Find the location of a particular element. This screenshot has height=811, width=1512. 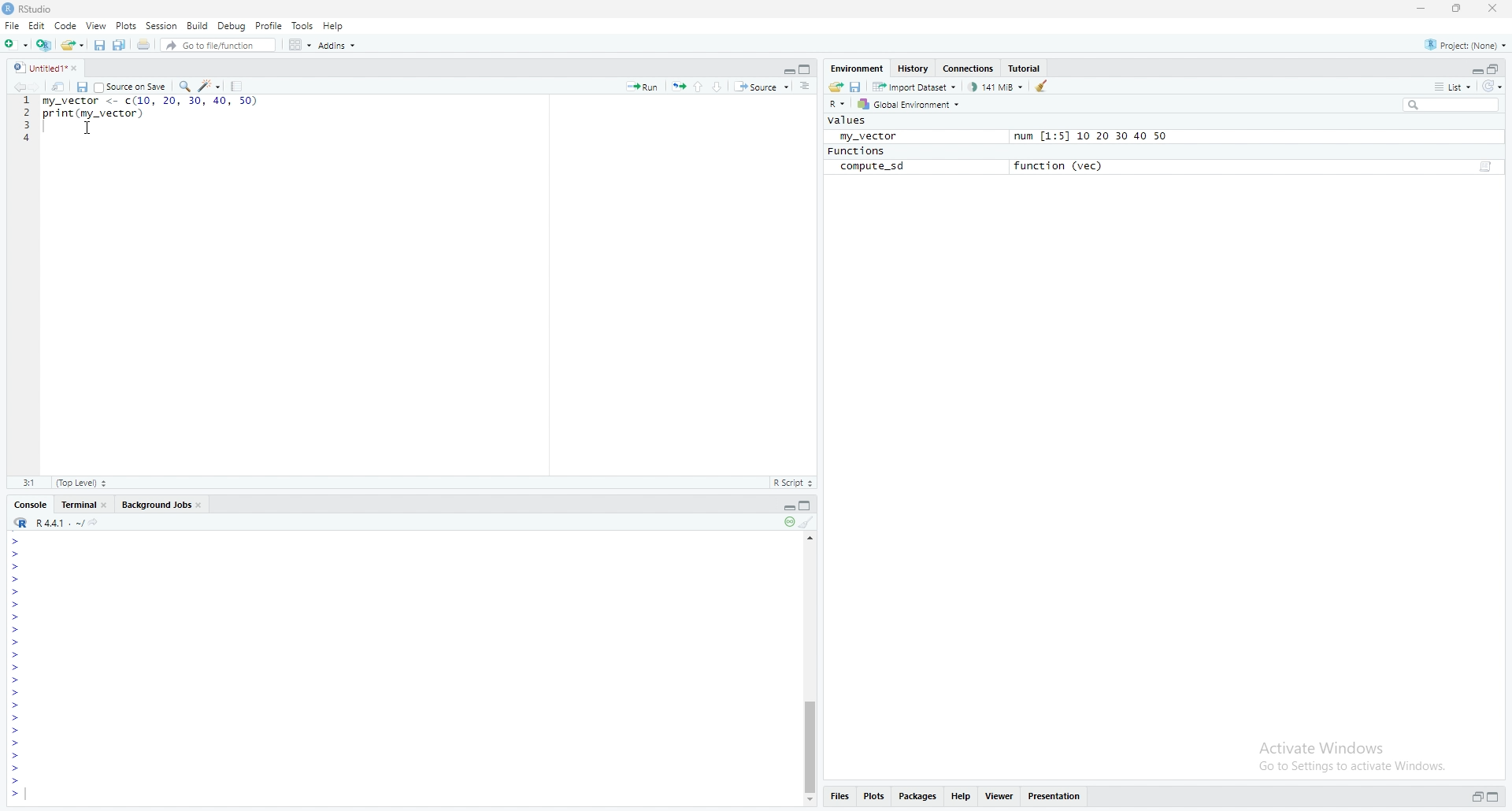

Plots is located at coordinates (873, 794).